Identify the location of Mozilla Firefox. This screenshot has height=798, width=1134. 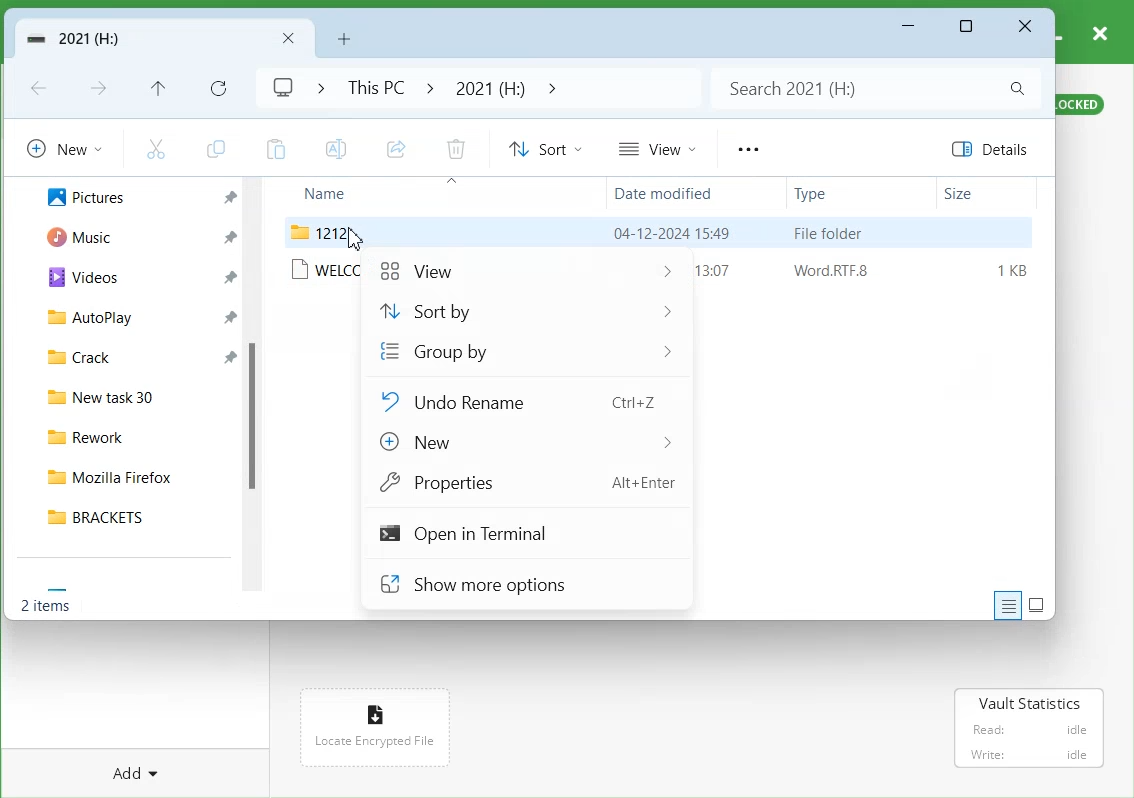
(135, 478).